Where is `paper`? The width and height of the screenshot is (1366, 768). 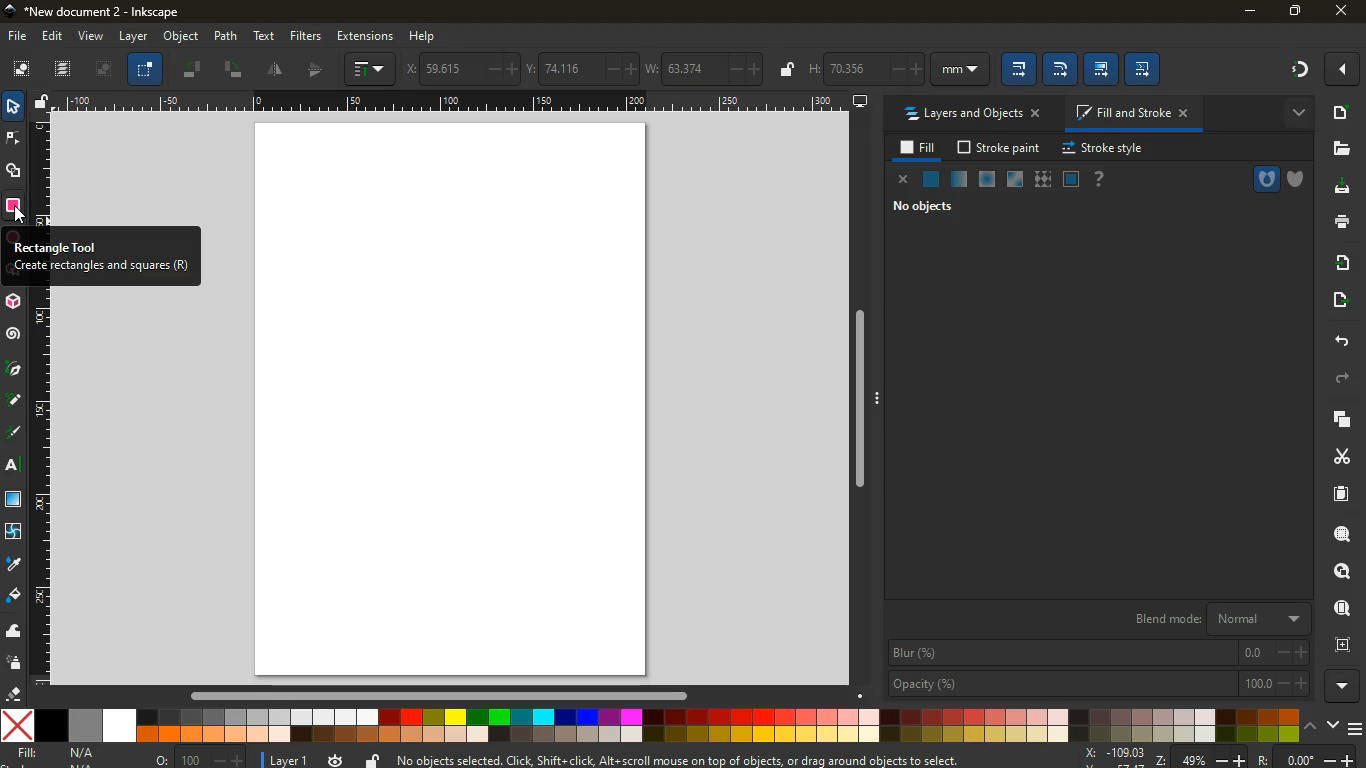
paper is located at coordinates (1336, 494).